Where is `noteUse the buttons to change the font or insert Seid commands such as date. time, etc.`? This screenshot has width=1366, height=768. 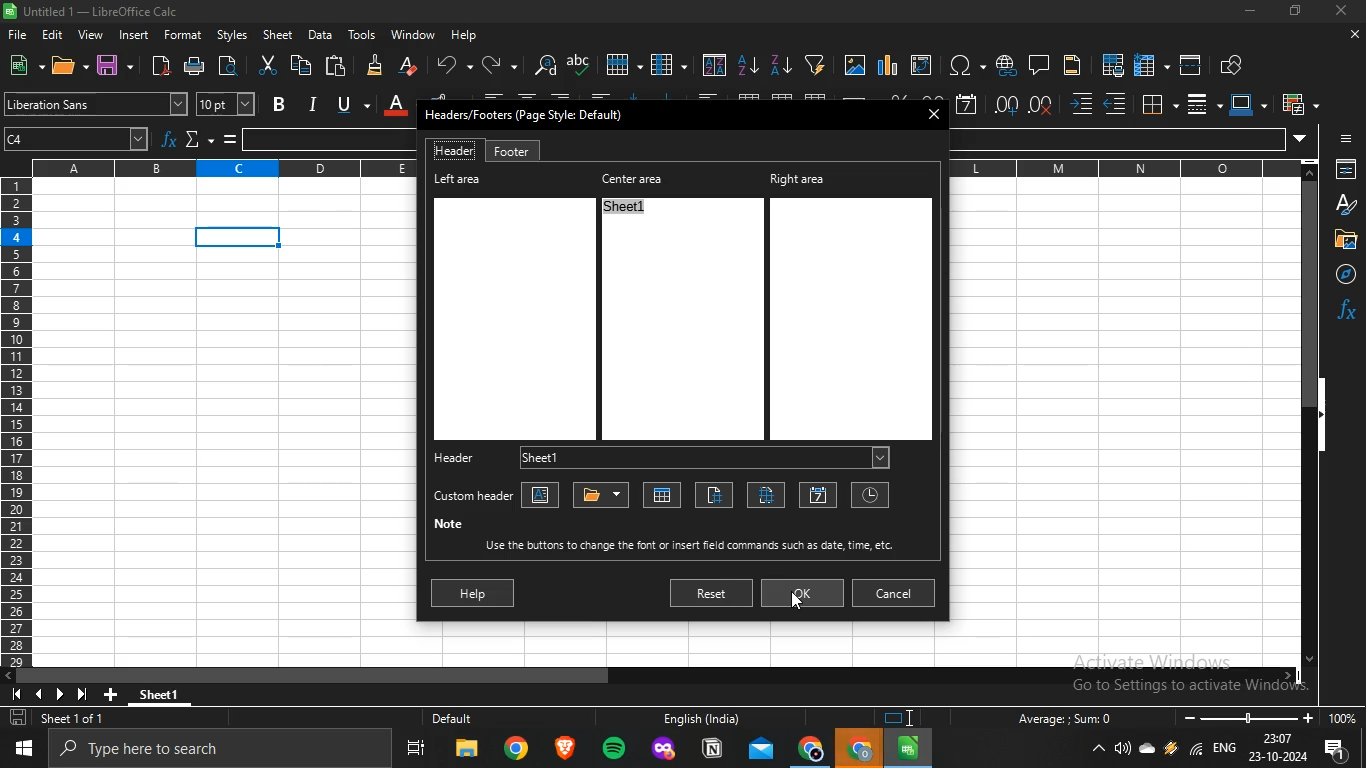 noteUse the buttons to change the font or insert Seid commands such as date. time, etc. is located at coordinates (674, 535).